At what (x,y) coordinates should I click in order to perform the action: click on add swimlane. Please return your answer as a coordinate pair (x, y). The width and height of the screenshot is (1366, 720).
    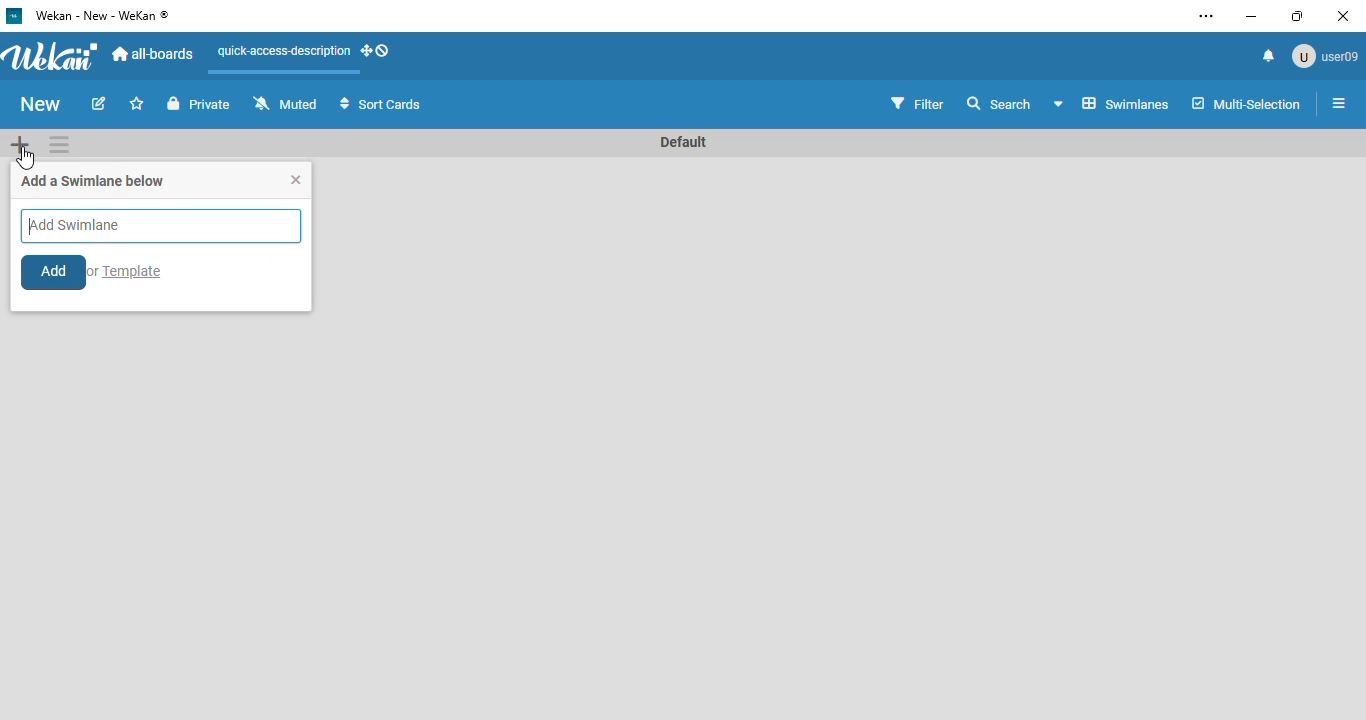
    Looking at the image, I should click on (20, 143).